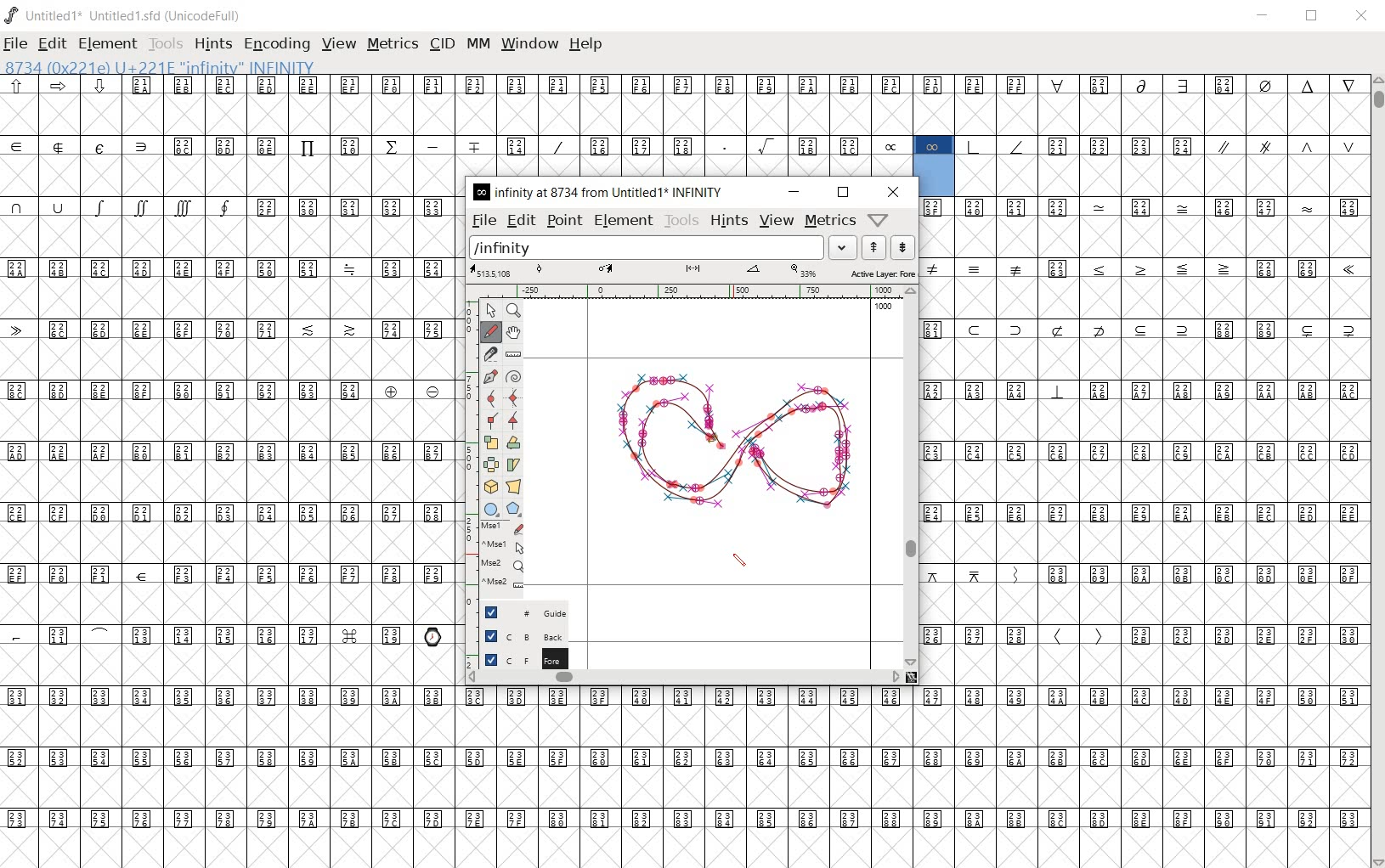 The height and width of the screenshot is (868, 1385). Describe the element at coordinates (513, 465) in the screenshot. I see `skew the selection` at that location.